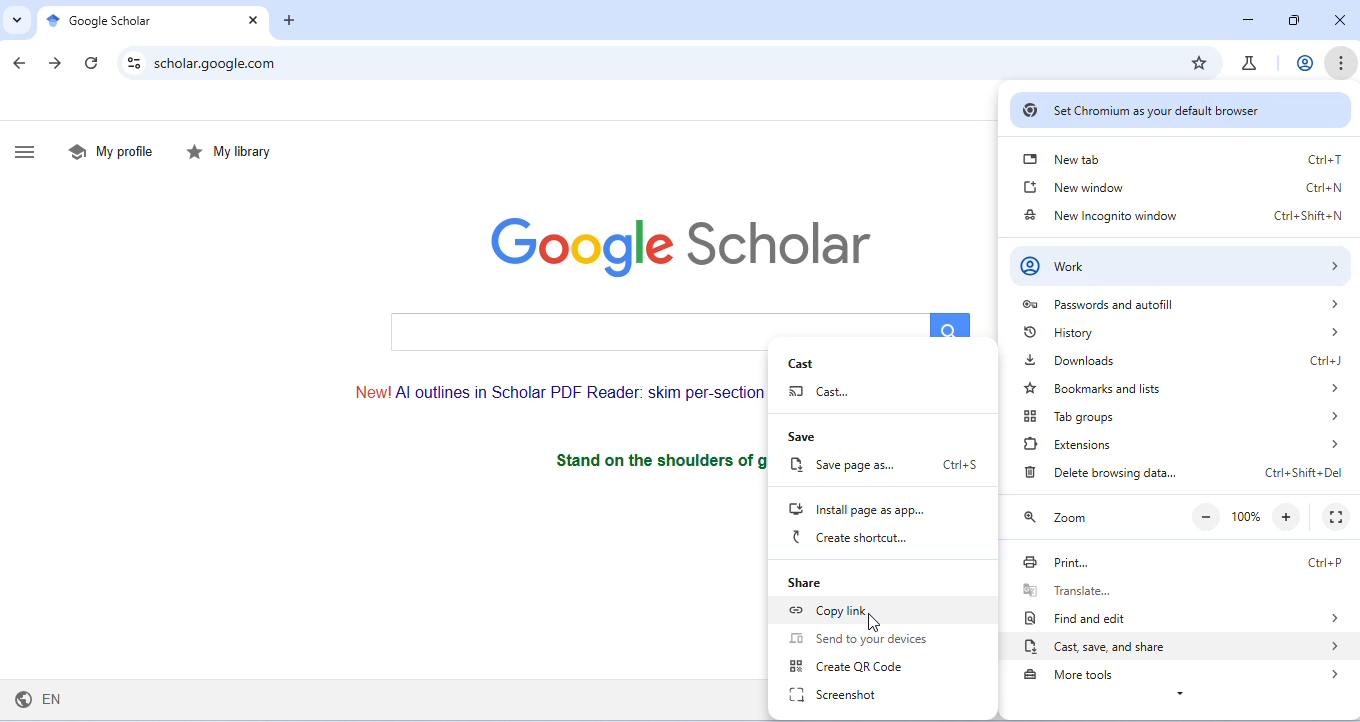  What do you see at coordinates (292, 22) in the screenshot?
I see `add tab` at bounding box center [292, 22].